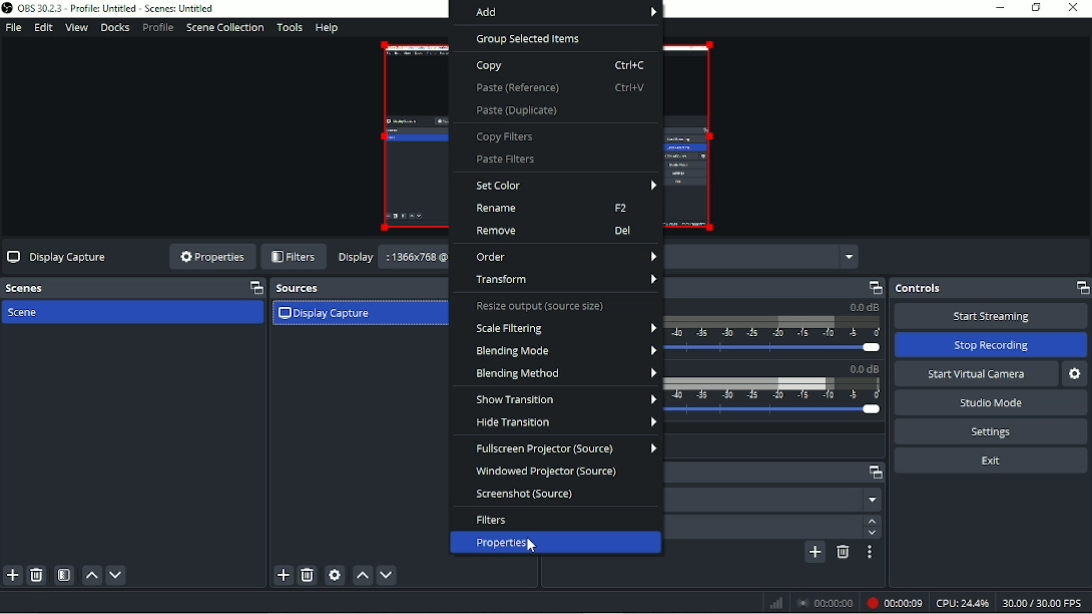 Image resolution: width=1092 pixels, height=614 pixels. Describe the element at coordinates (91, 576) in the screenshot. I see `Move scene up` at that location.